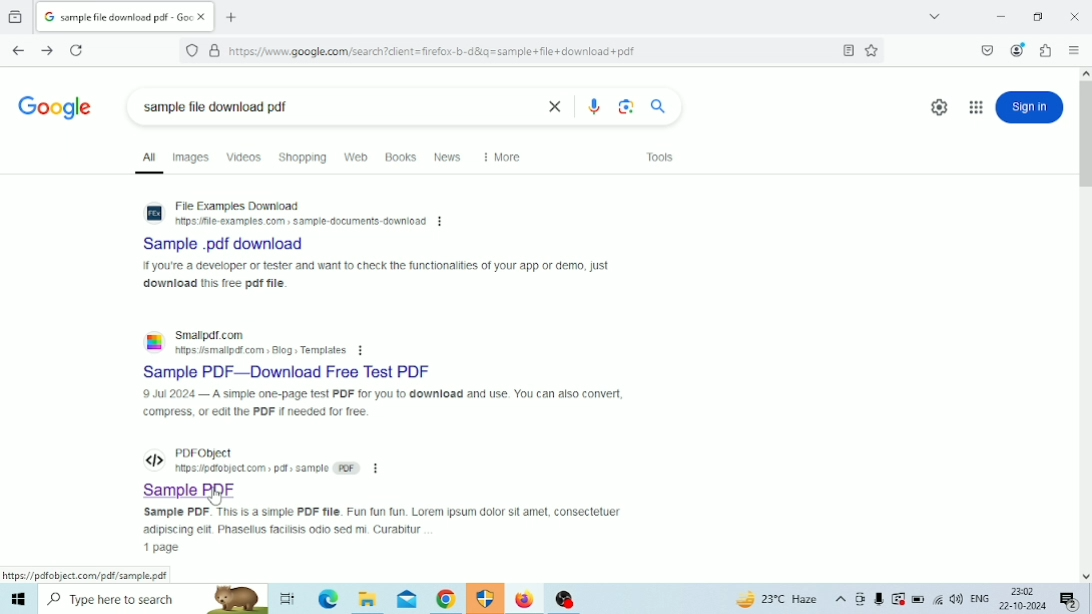 This screenshot has width=1092, height=614. What do you see at coordinates (125, 17) in the screenshot?
I see `Tab` at bounding box center [125, 17].